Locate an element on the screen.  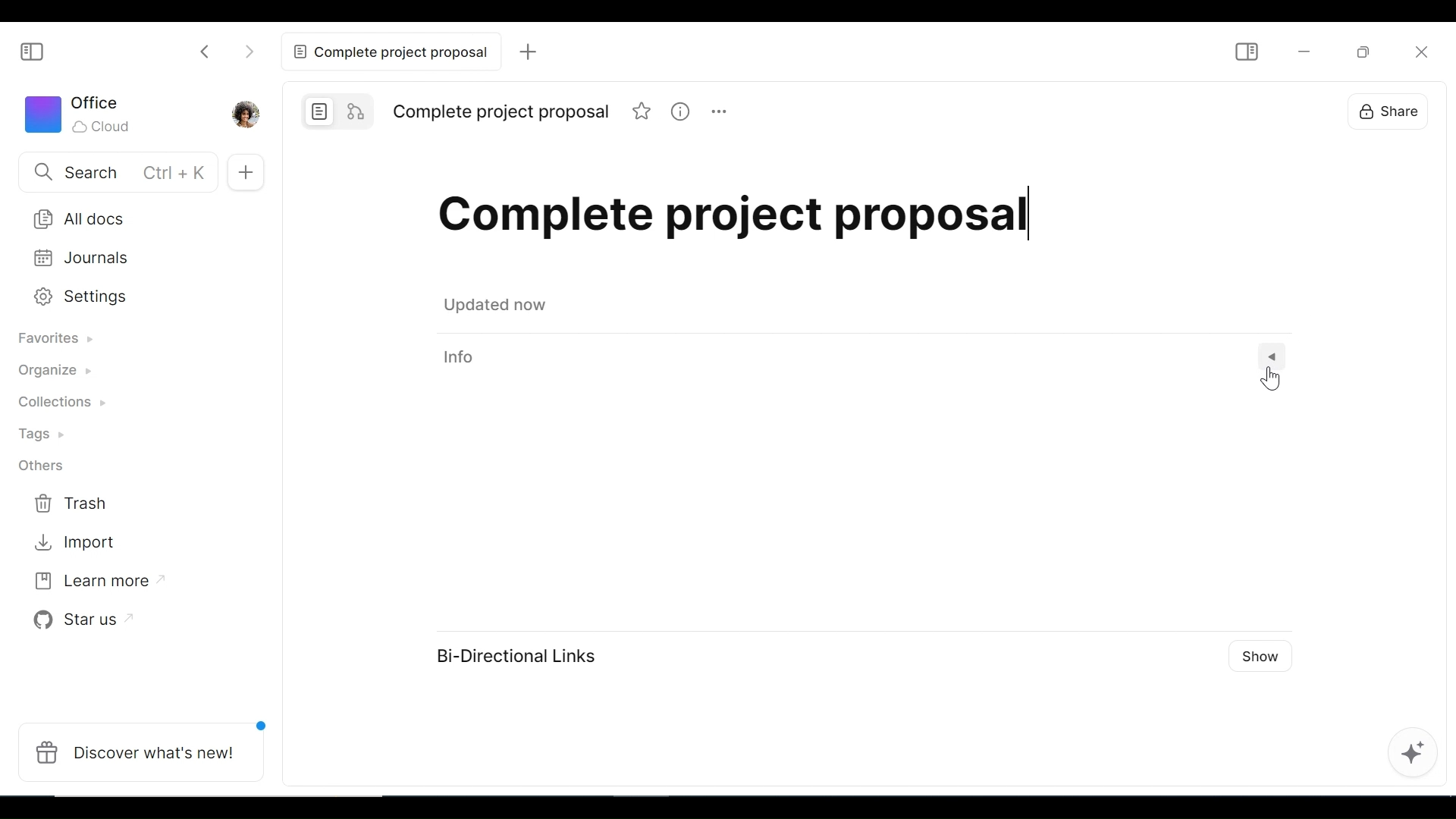
Show/Hide Sidebar is located at coordinates (1244, 53).